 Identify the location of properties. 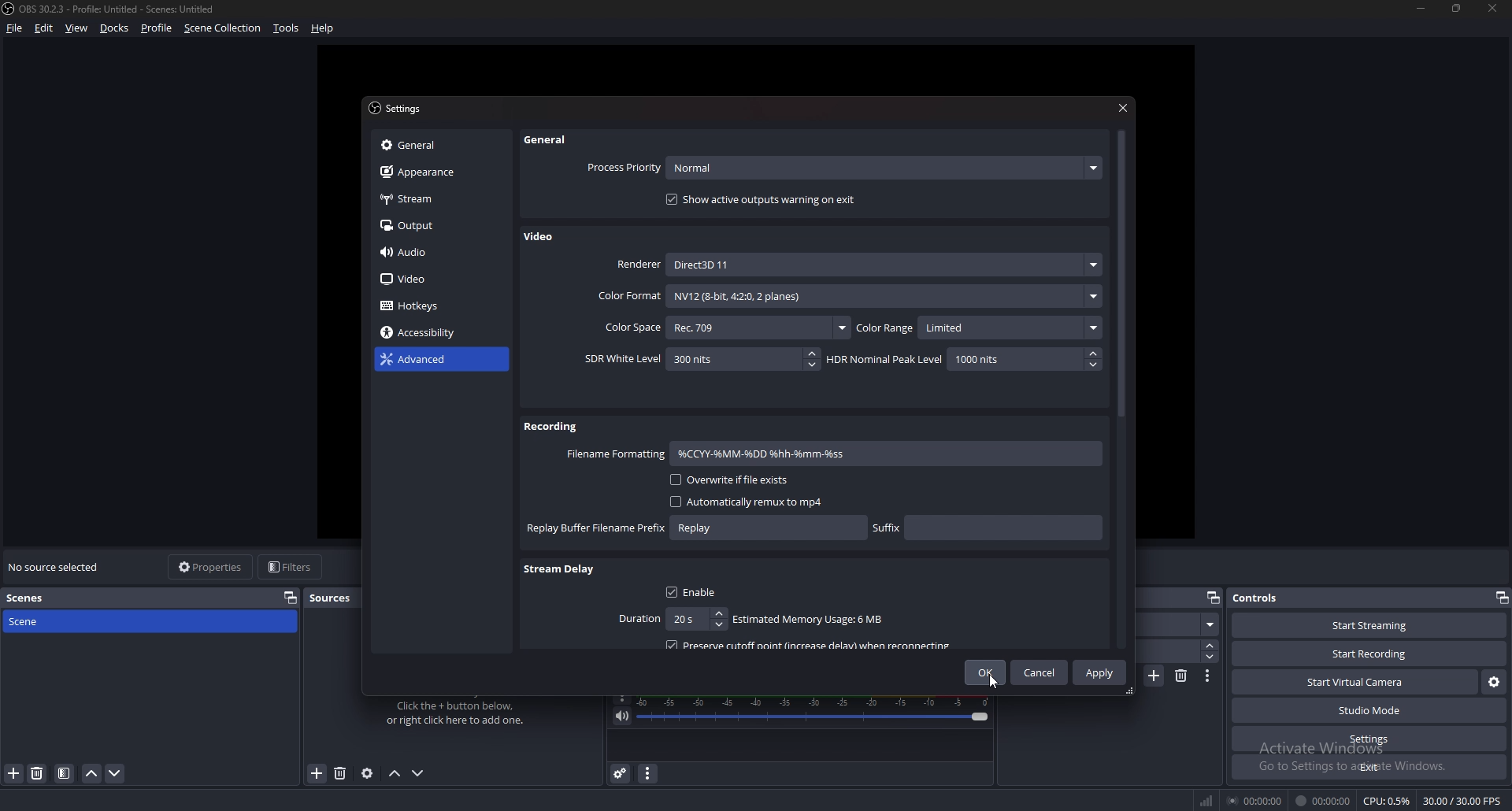
(211, 566).